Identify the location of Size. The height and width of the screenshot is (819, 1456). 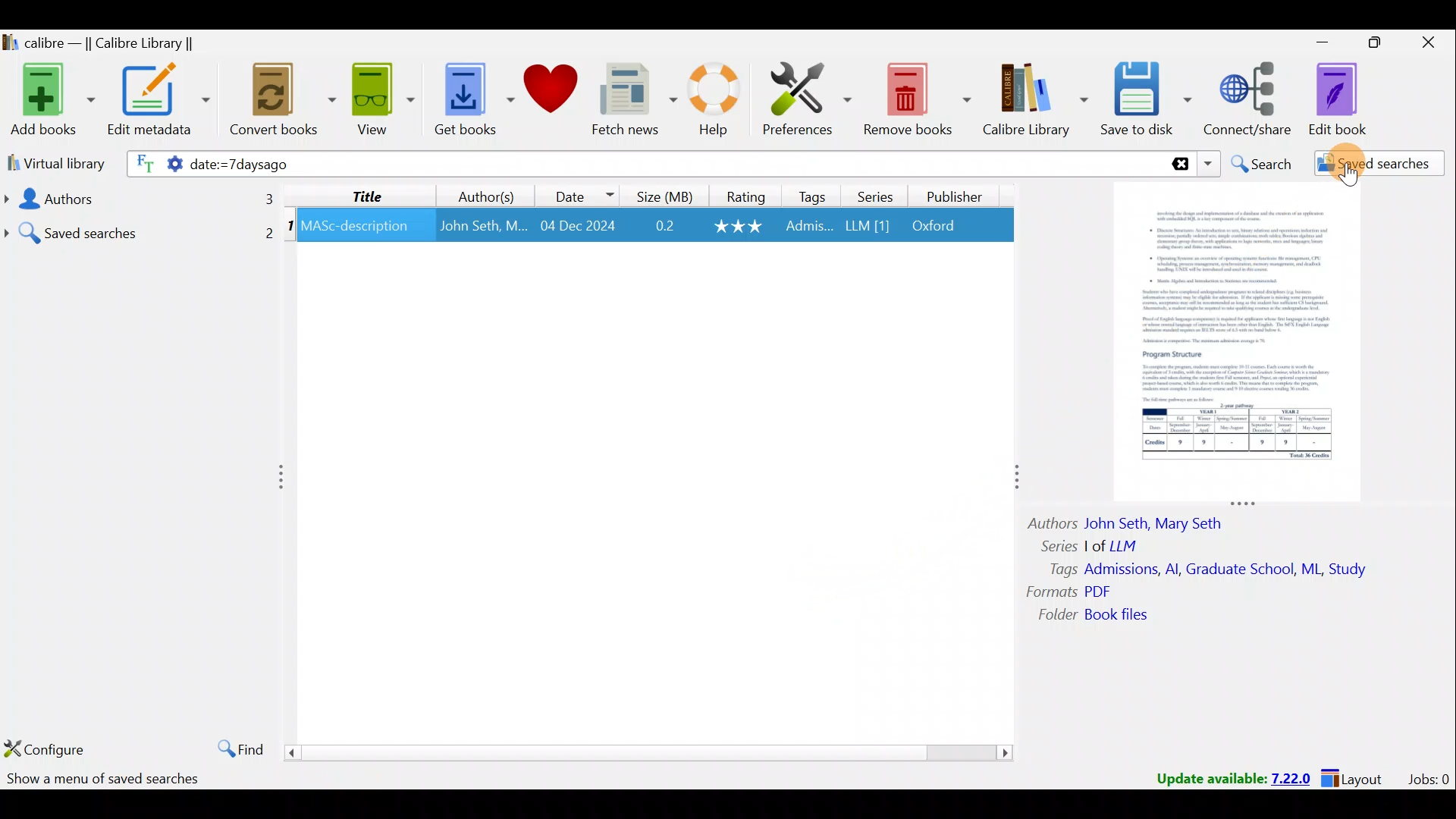
(661, 195).